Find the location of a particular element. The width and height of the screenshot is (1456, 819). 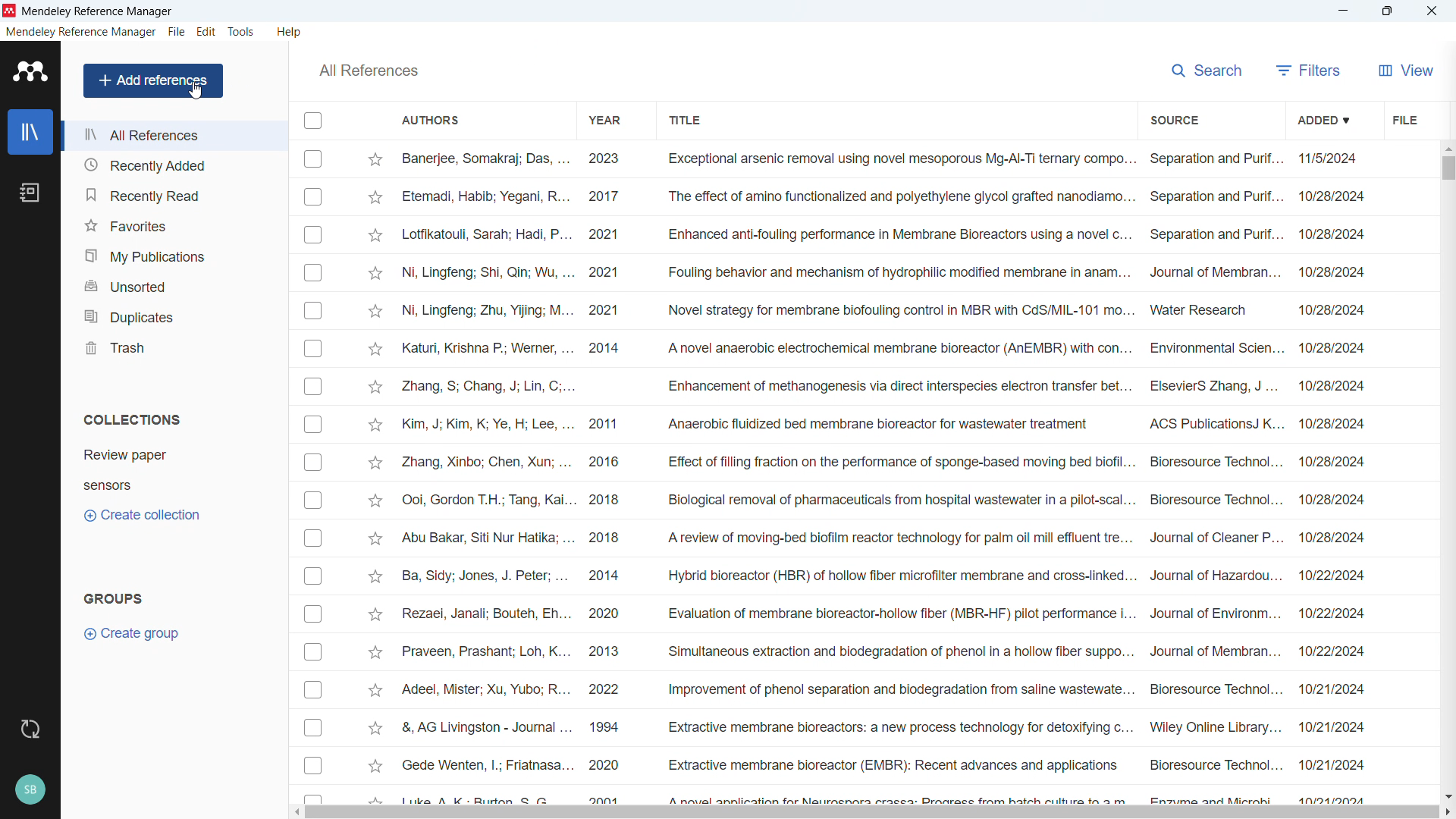

Collection 2  is located at coordinates (176, 485).